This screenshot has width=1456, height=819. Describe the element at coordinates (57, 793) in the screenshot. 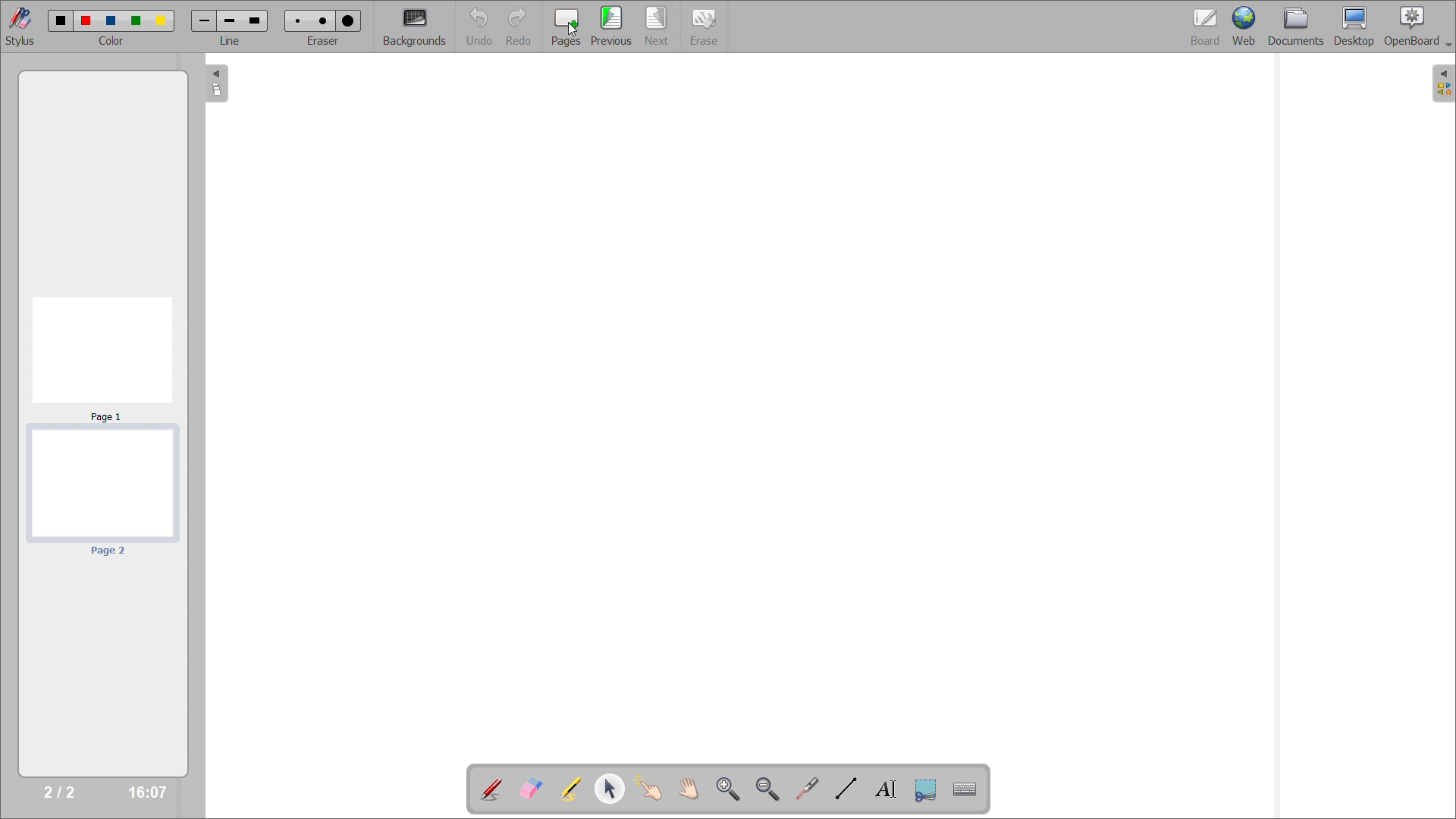

I see `2/2 (page count changed)` at that location.